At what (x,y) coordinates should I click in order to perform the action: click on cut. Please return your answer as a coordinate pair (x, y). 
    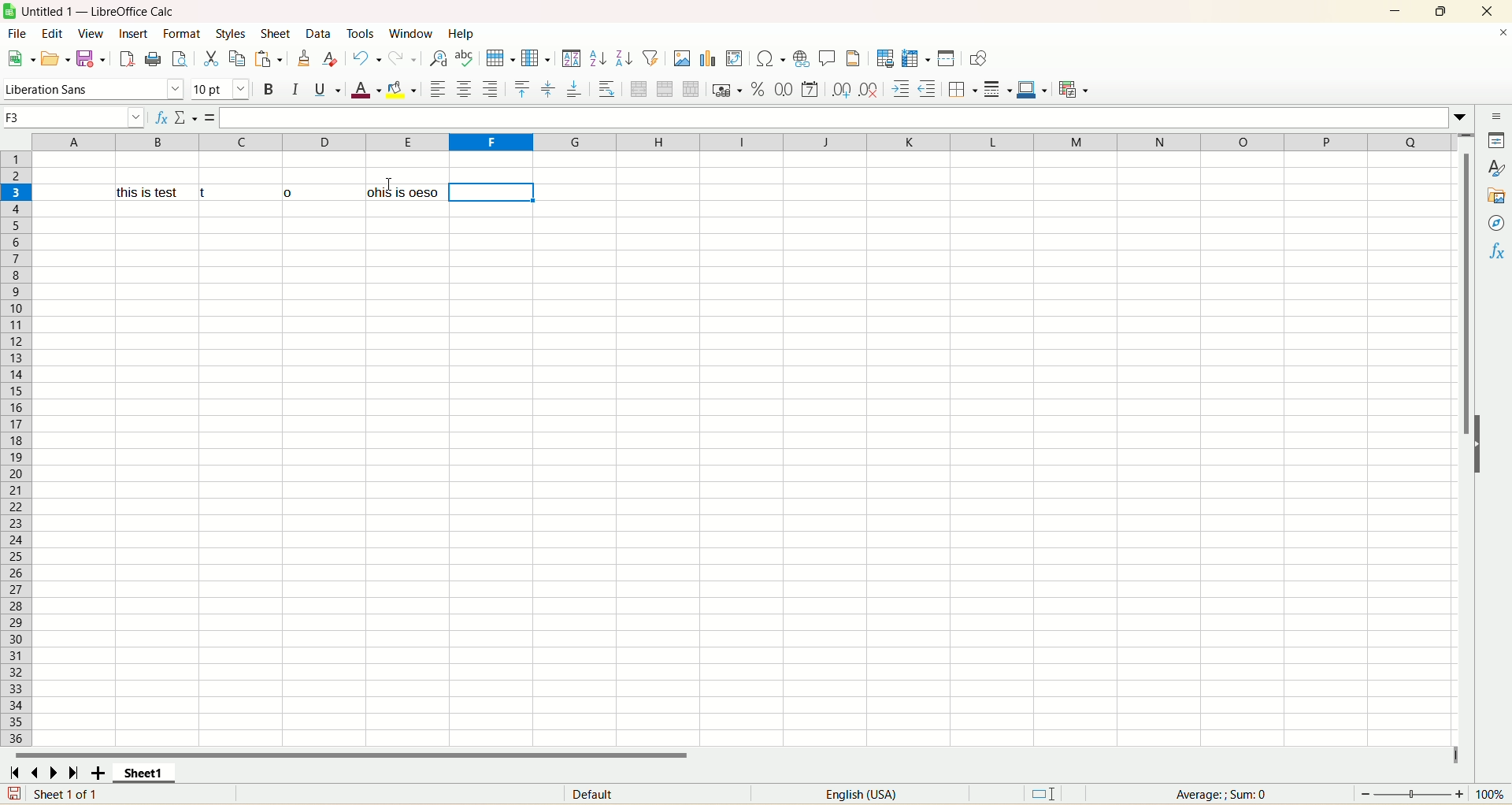
    Looking at the image, I should click on (210, 60).